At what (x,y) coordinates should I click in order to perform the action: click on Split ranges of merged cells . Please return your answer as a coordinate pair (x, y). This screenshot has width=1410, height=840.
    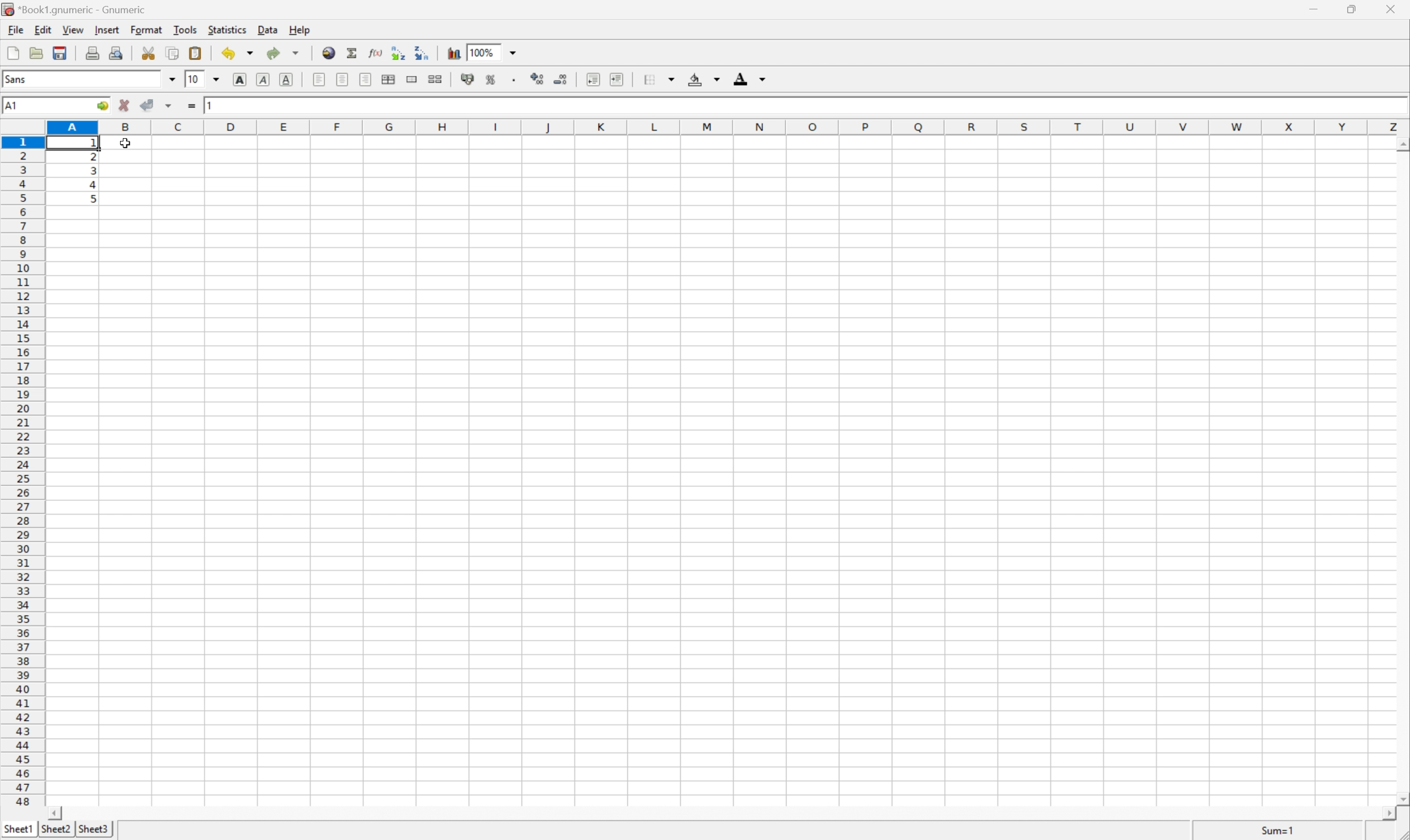
    Looking at the image, I should click on (435, 79).